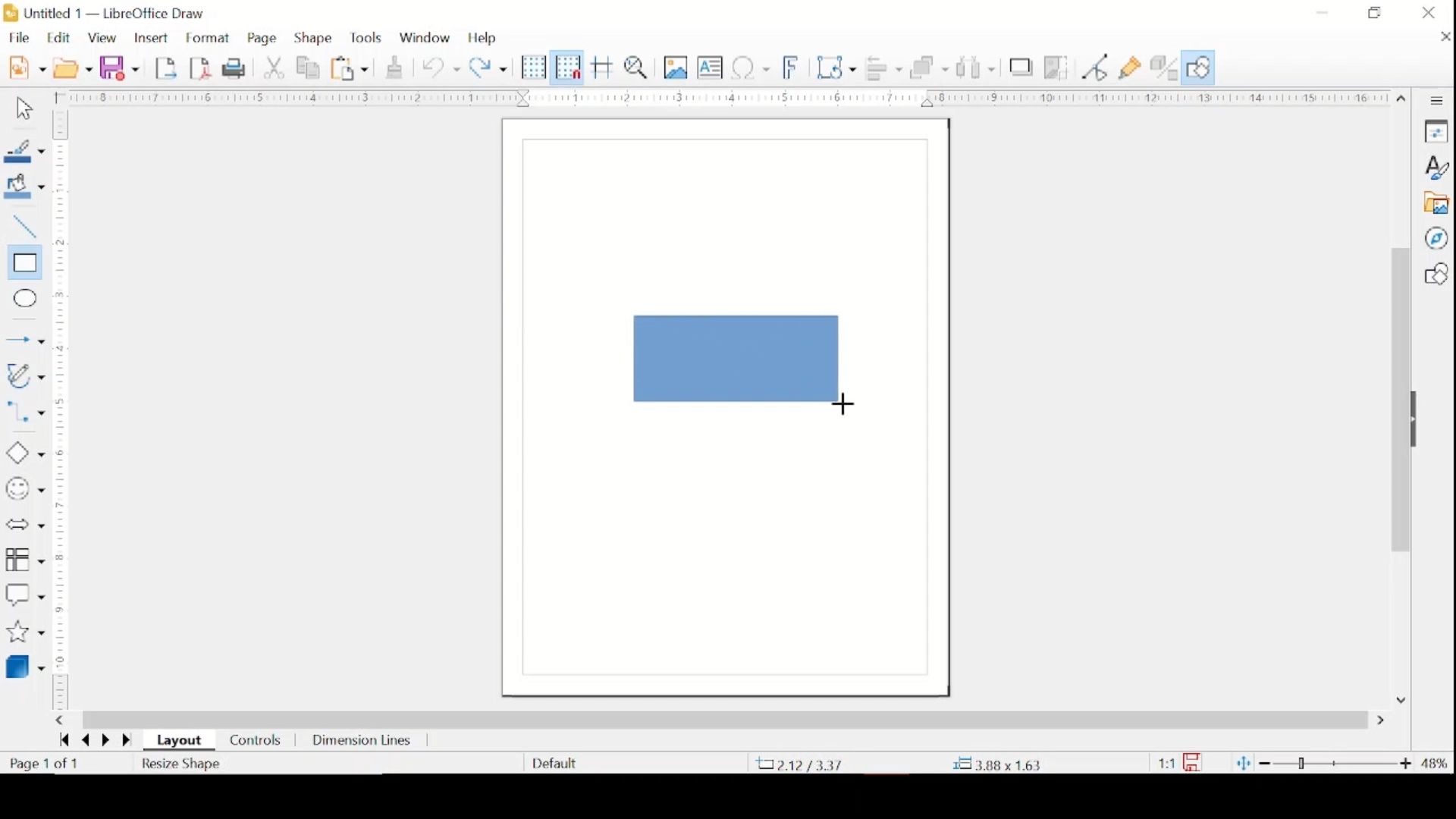 The height and width of the screenshot is (819, 1456). Describe the element at coordinates (534, 68) in the screenshot. I see `display grid` at that location.